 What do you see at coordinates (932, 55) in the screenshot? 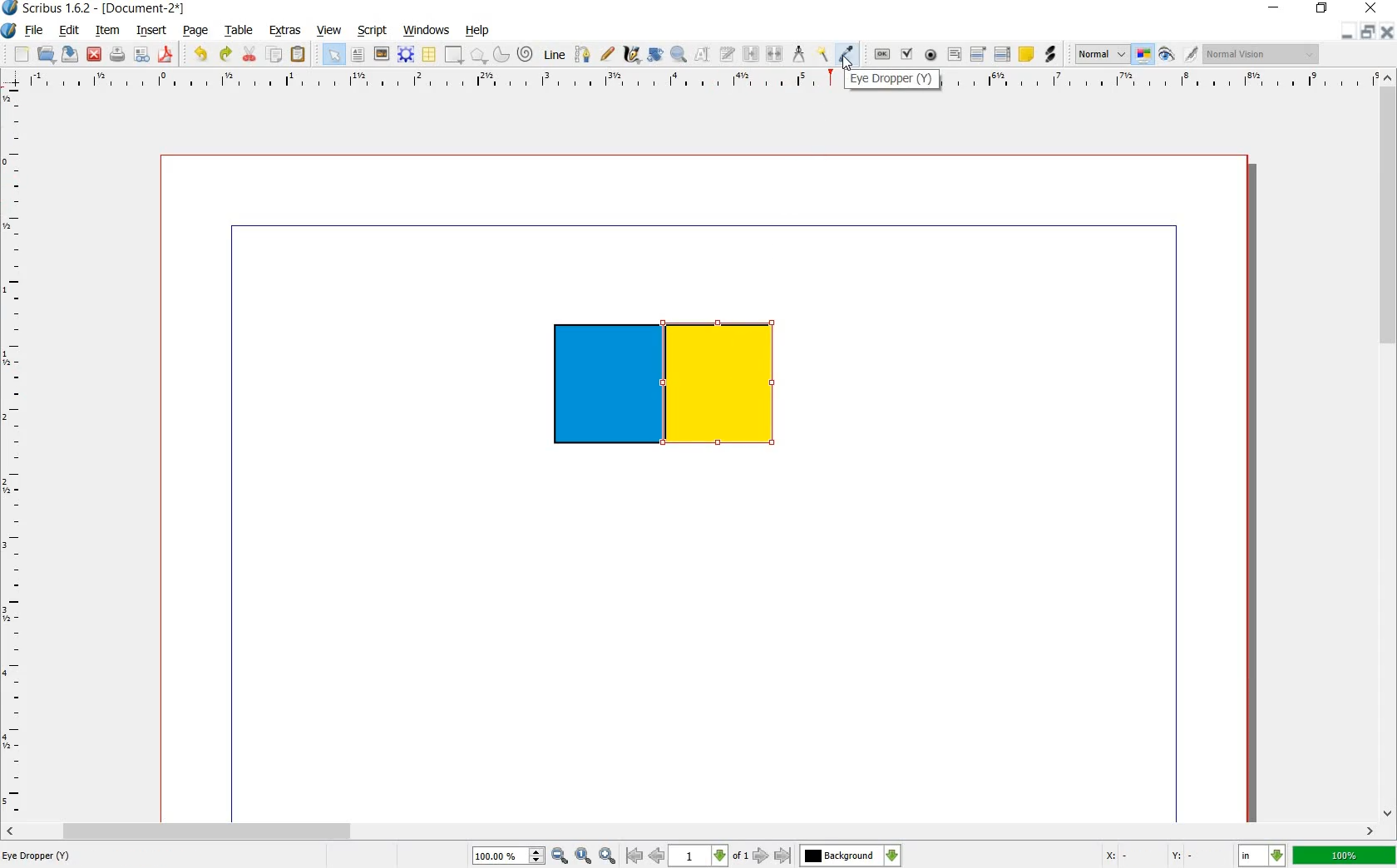
I see `pdf radio button` at bounding box center [932, 55].